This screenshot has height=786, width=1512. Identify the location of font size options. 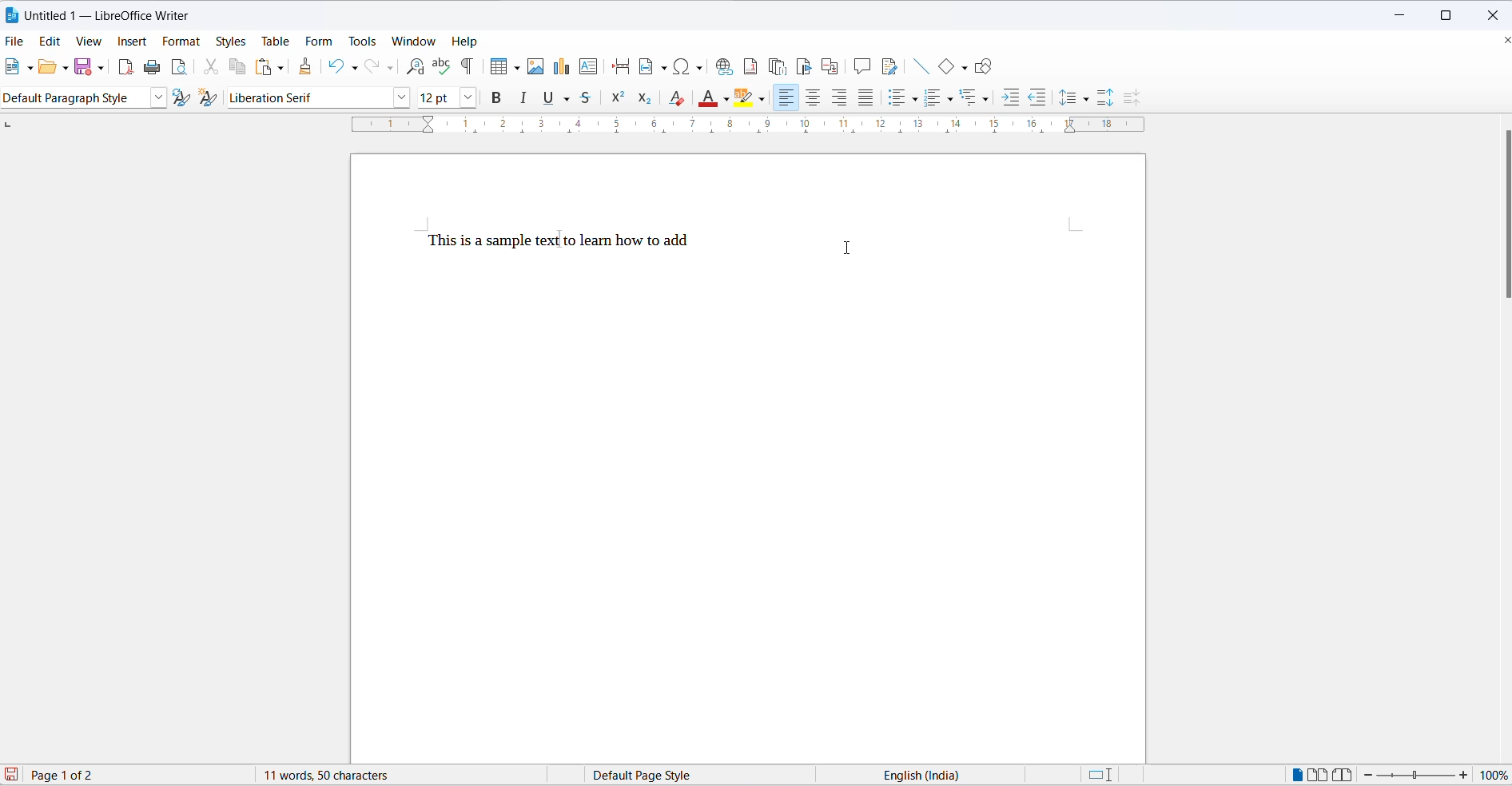
(467, 98).